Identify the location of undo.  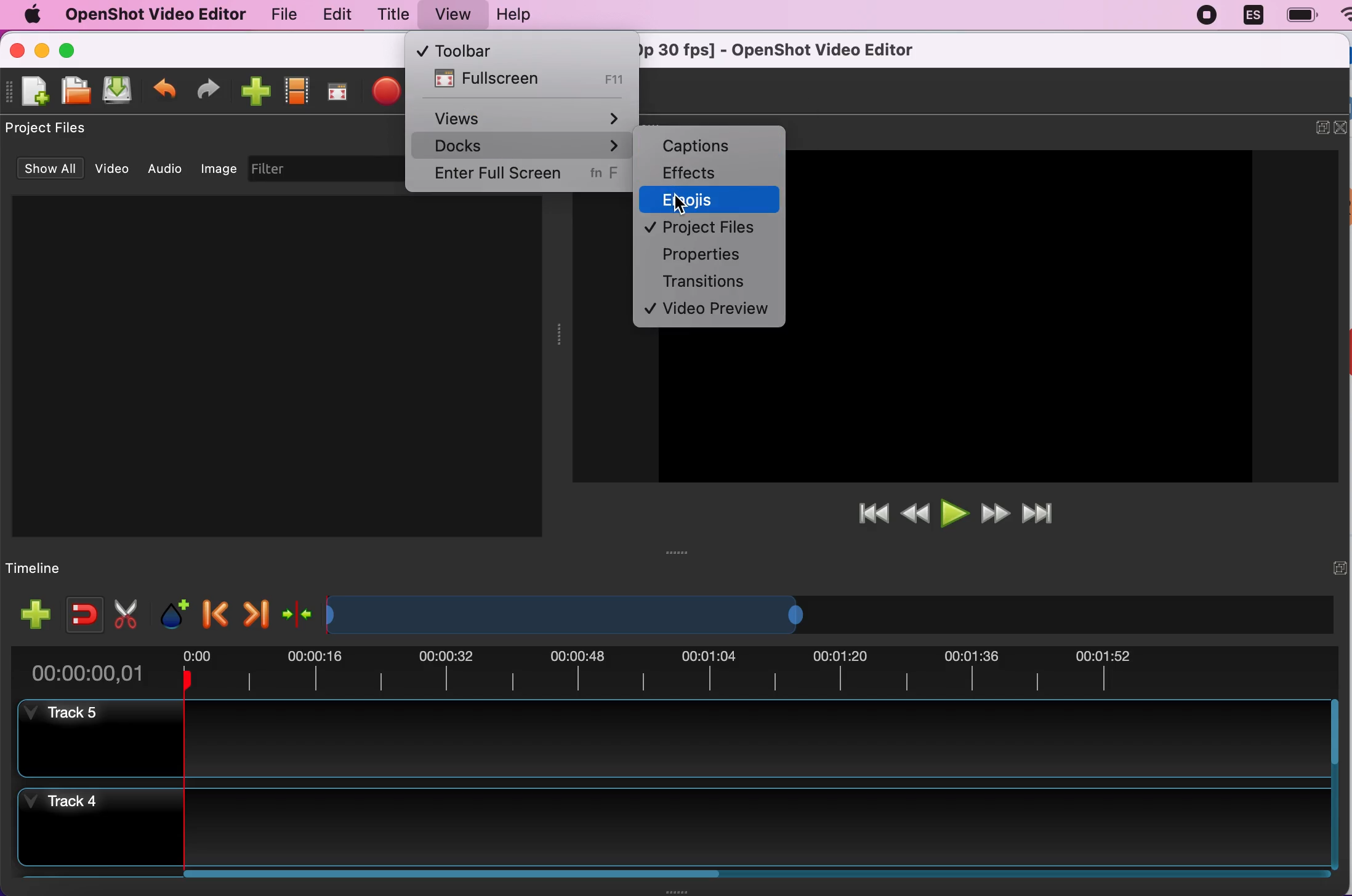
(165, 86).